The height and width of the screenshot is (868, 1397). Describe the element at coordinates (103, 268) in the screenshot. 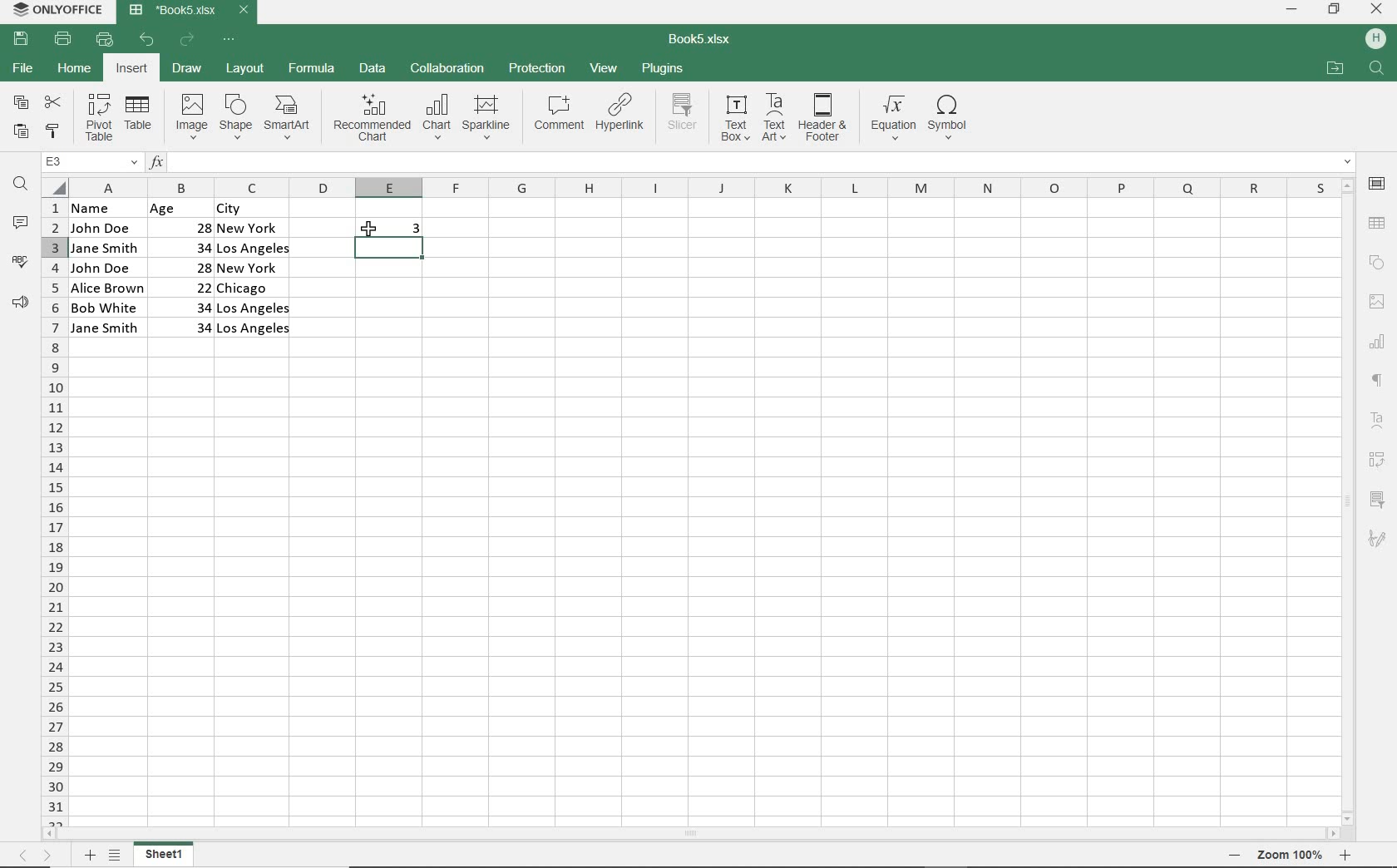

I see `John Doe` at that location.